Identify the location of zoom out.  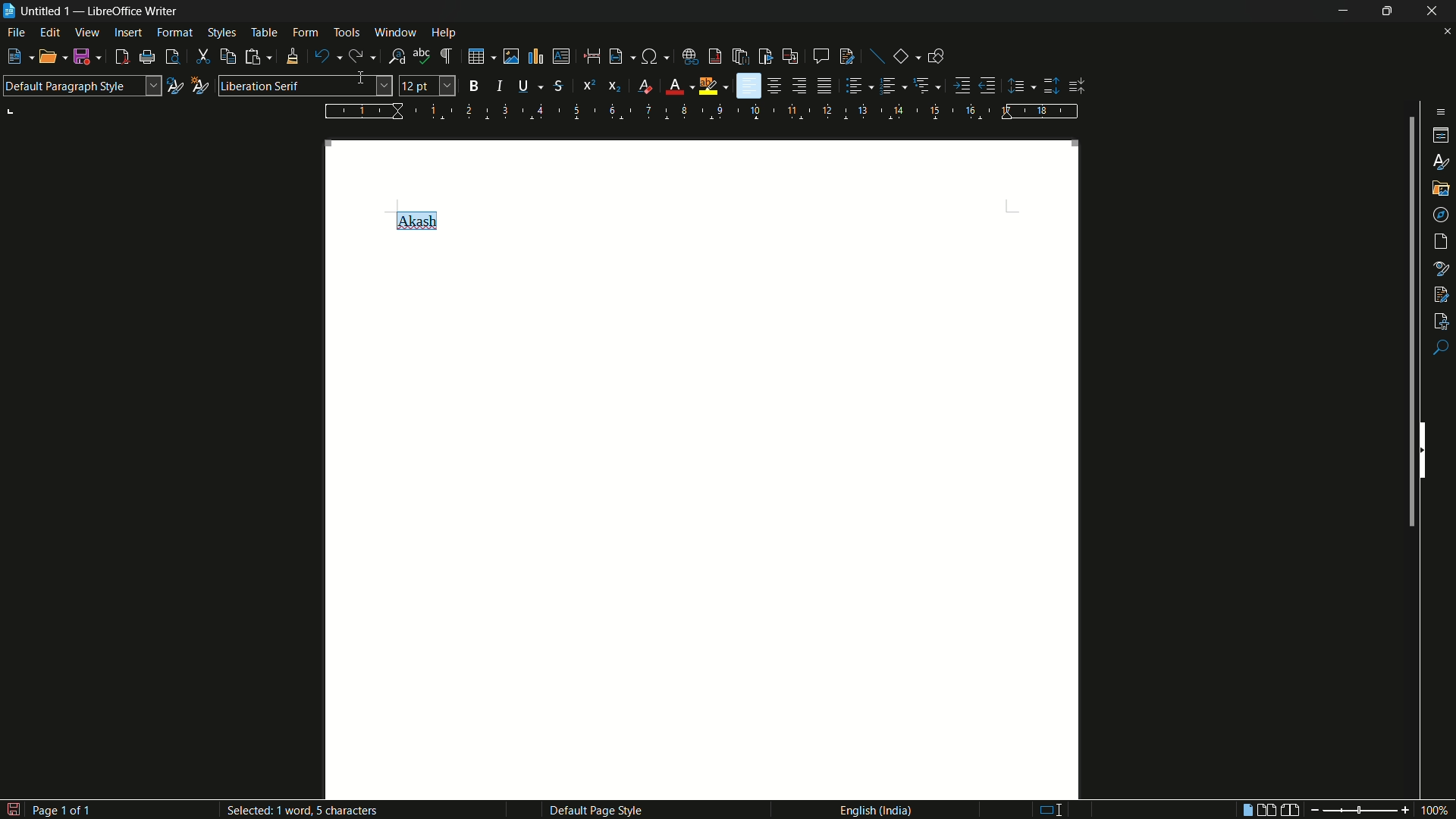
(1311, 810).